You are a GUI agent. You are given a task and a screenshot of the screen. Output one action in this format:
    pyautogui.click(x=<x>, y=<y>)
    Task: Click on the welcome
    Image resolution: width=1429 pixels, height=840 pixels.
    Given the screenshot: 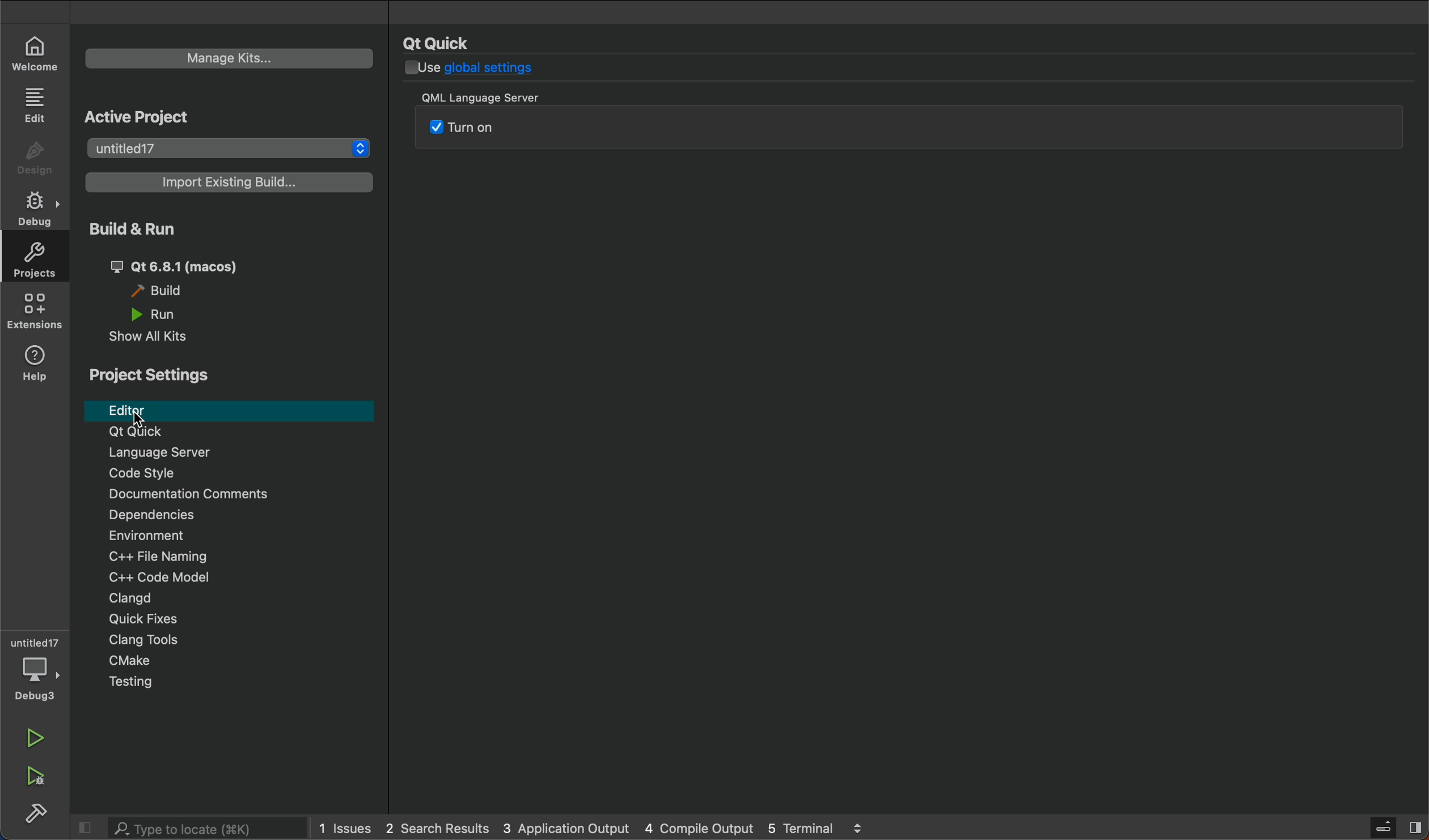 What is the action you would take?
    pyautogui.click(x=38, y=53)
    